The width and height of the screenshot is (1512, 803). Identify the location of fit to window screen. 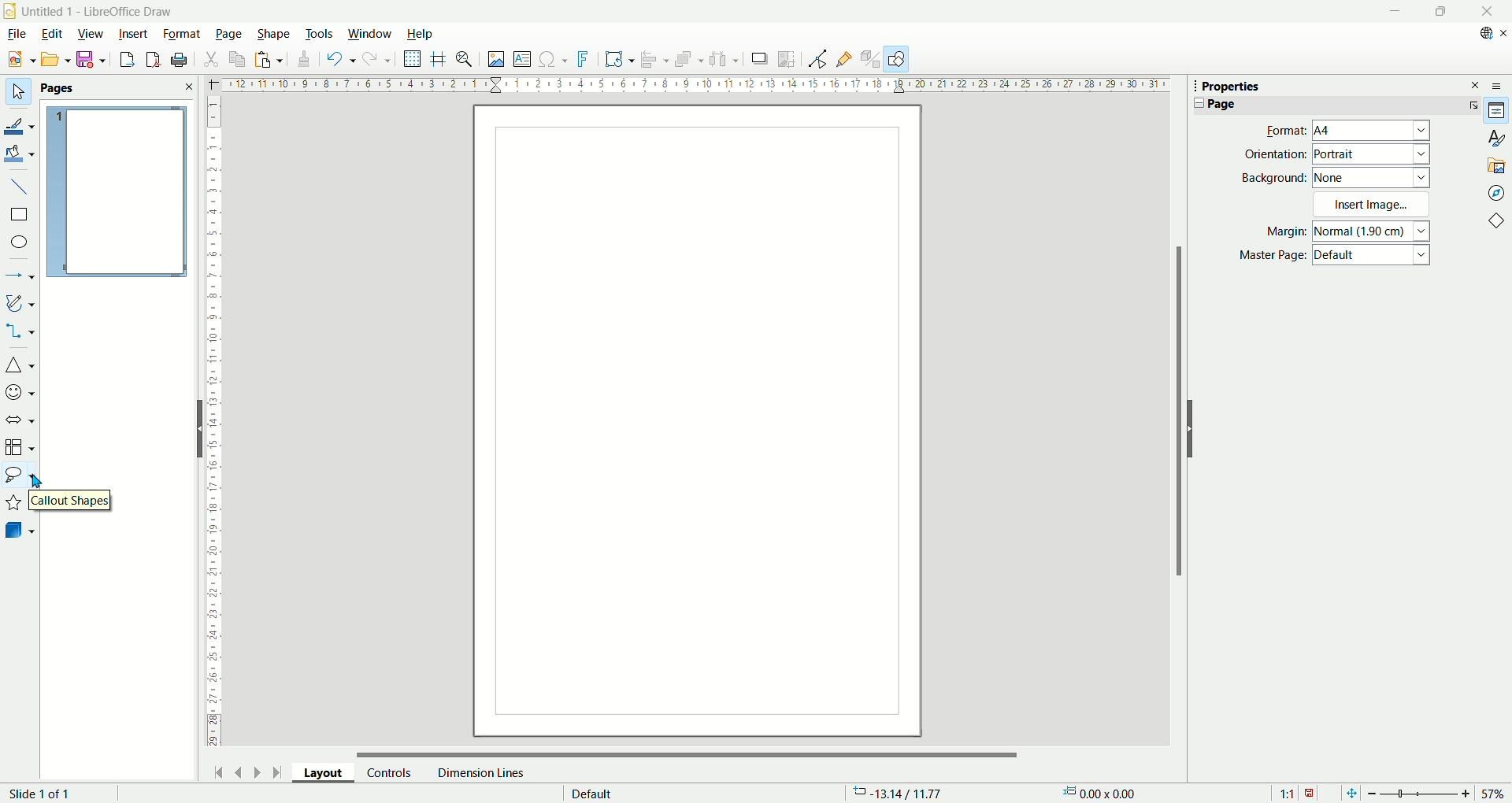
(1350, 792).